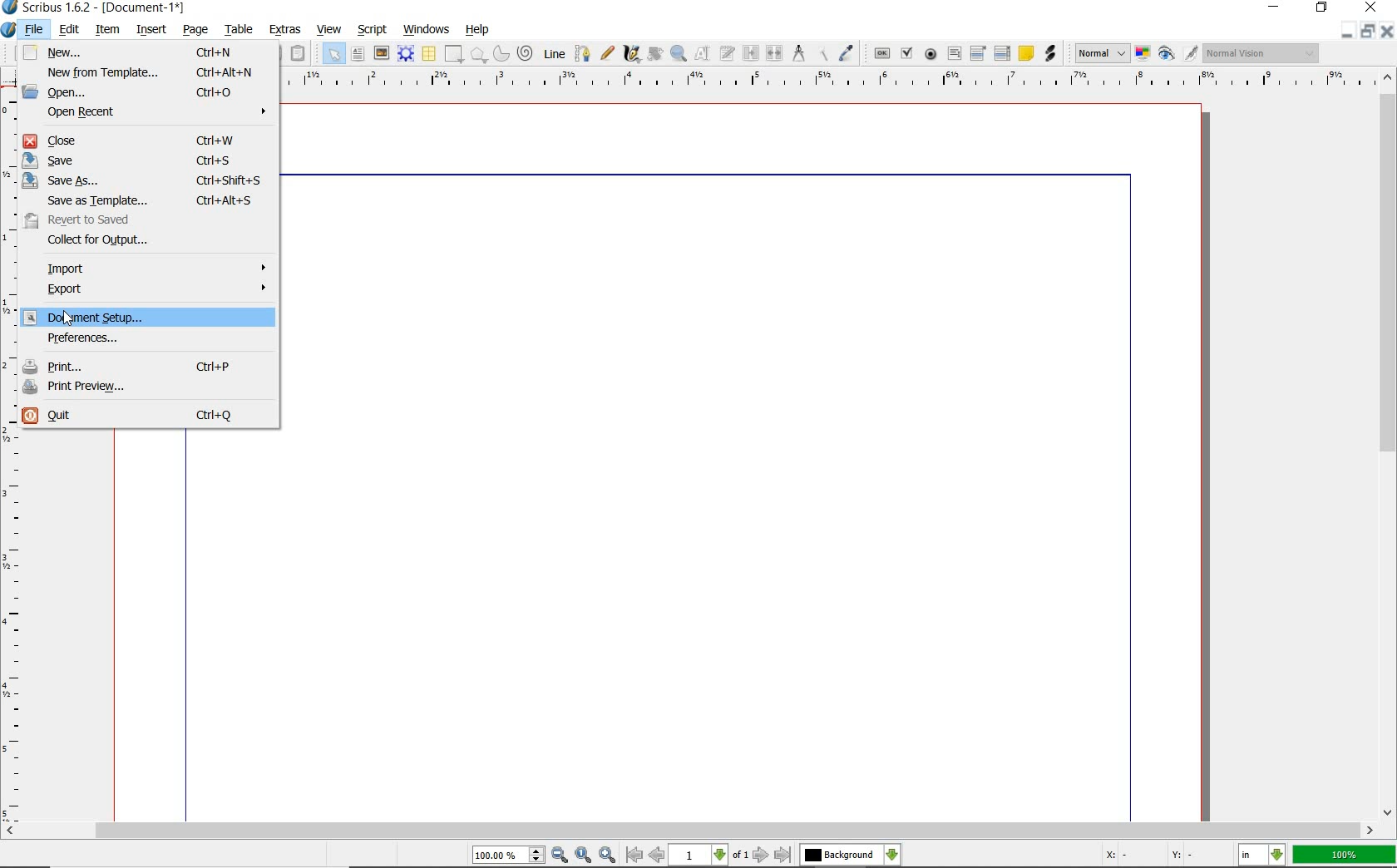 The image size is (1397, 868). What do you see at coordinates (1389, 446) in the screenshot?
I see `scrollbar` at bounding box center [1389, 446].